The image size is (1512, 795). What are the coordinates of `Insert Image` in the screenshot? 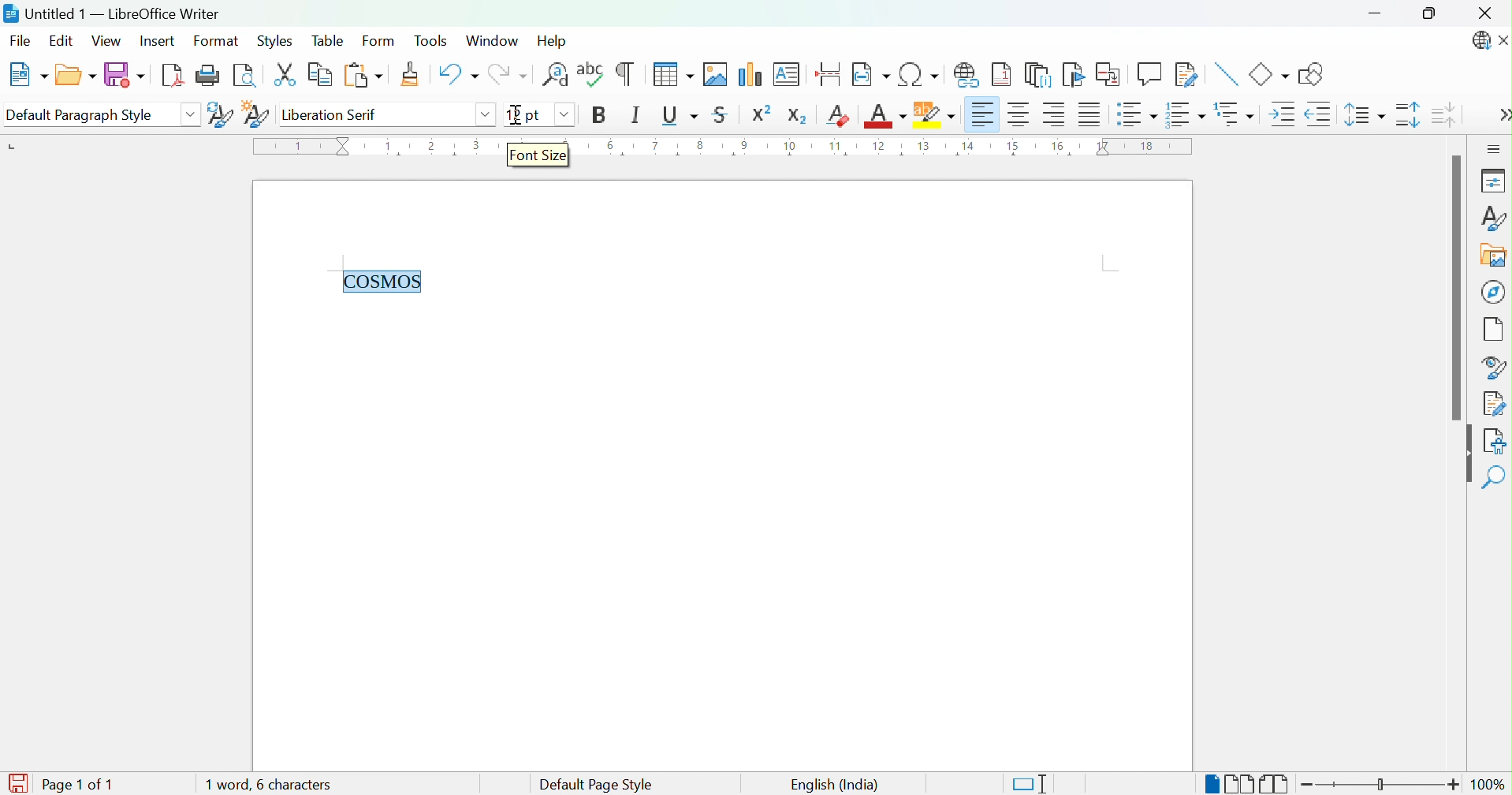 It's located at (716, 74).